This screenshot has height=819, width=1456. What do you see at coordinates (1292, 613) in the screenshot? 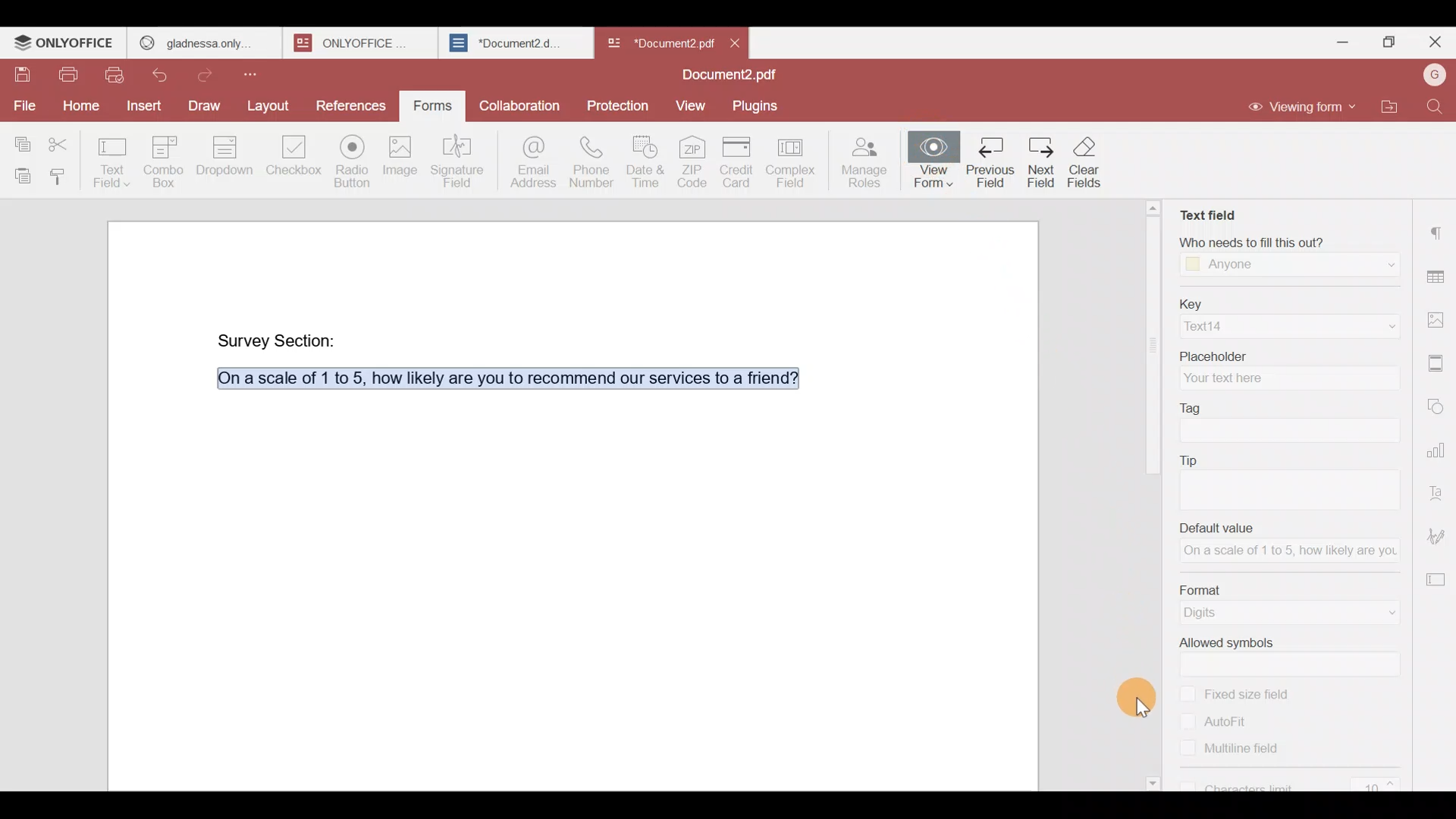
I see `Digits` at bounding box center [1292, 613].